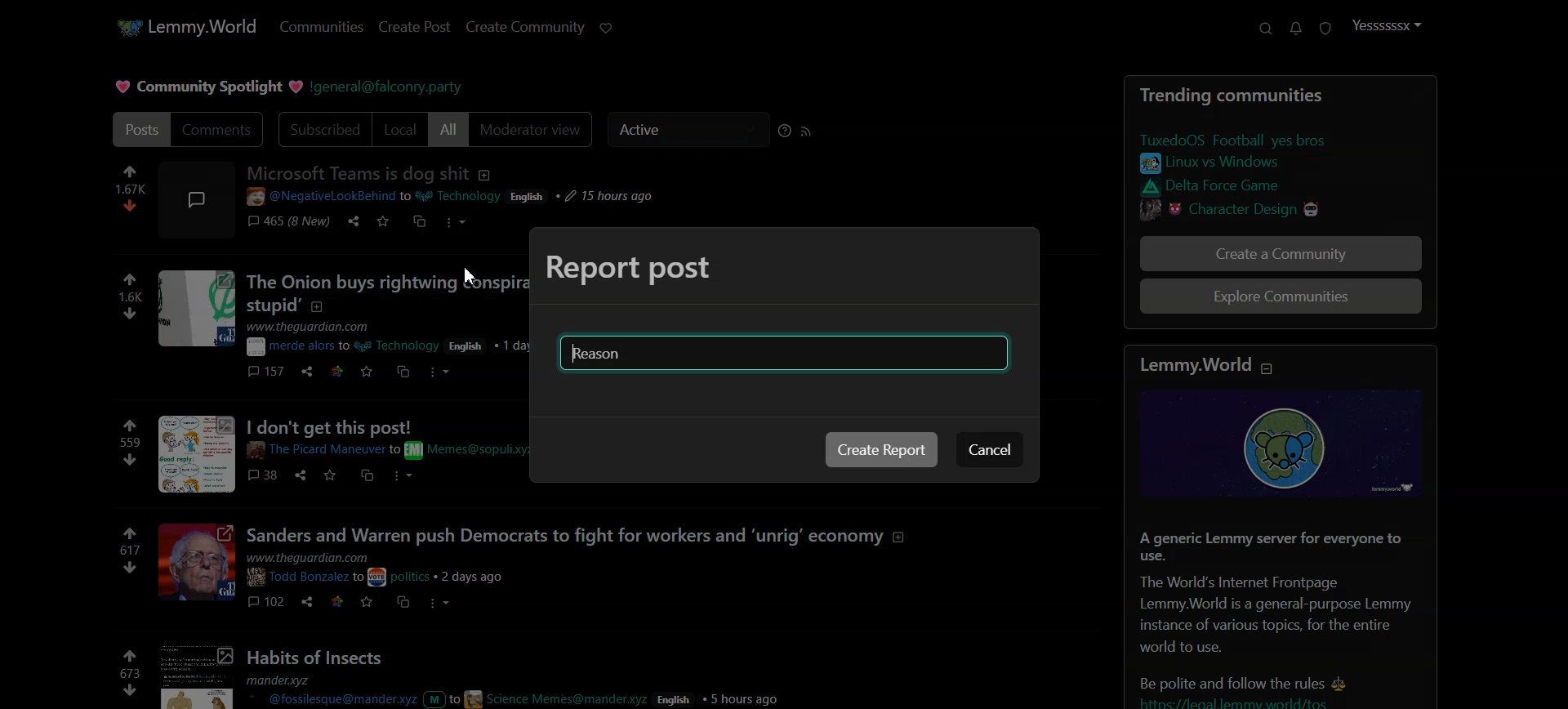  I want to click on more, so click(455, 224).